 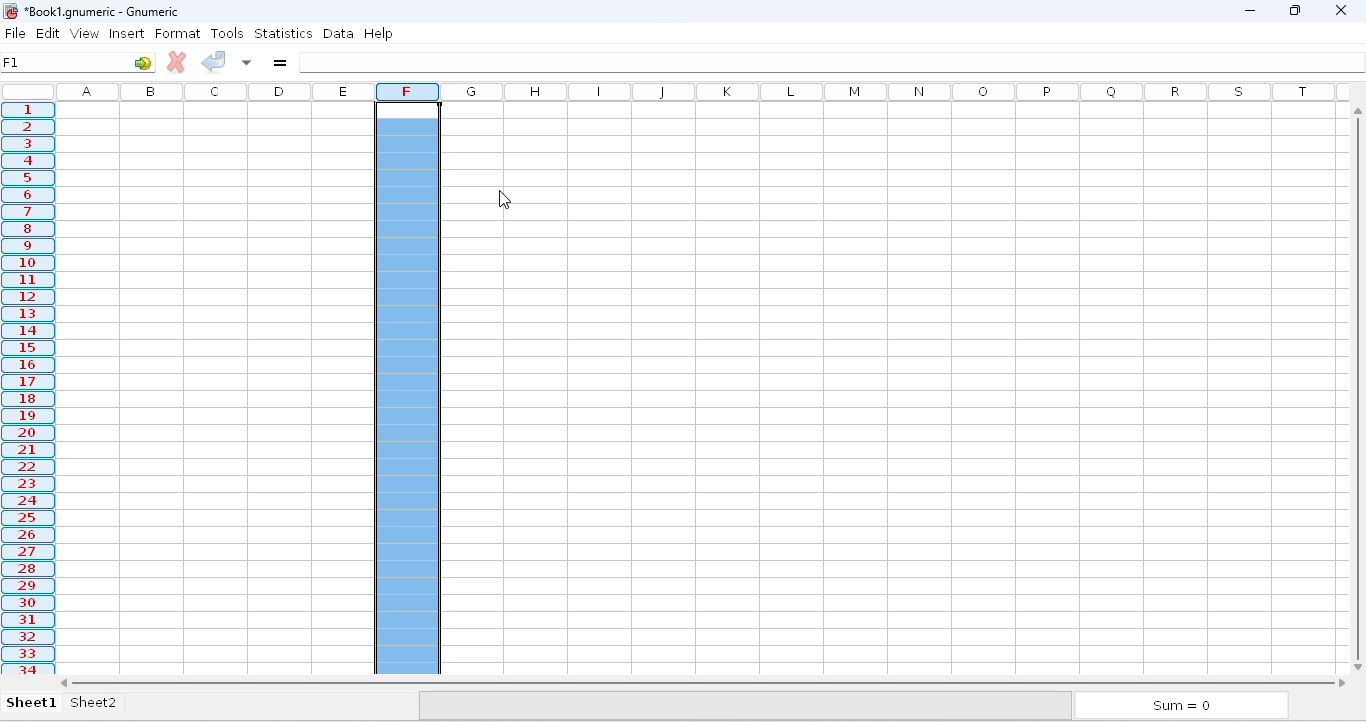 What do you see at coordinates (109, 704) in the screenshot?
I see `sheet2` at bounding box center [109, 704].